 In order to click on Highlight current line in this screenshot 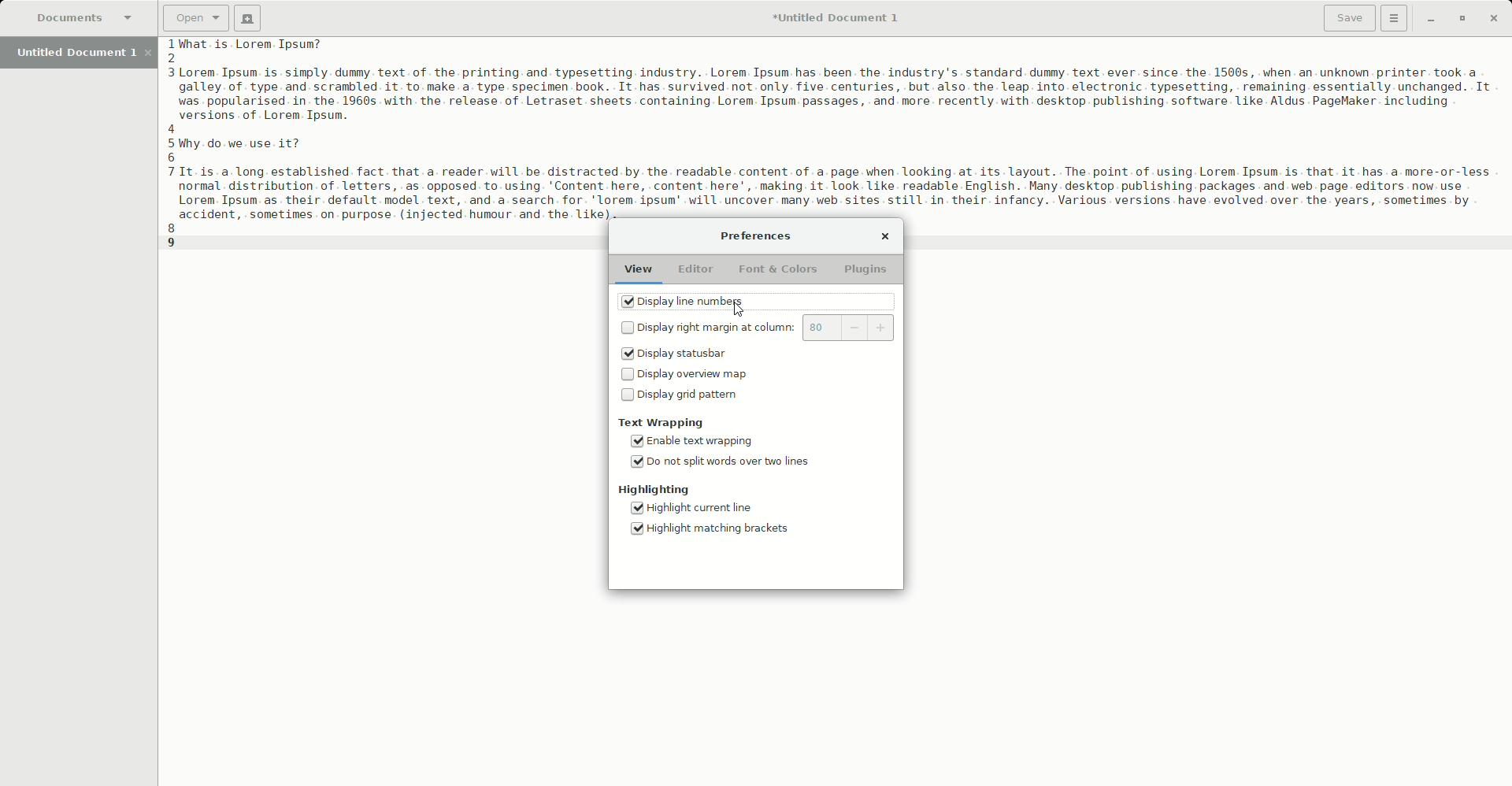, I will do `click(712, 510)`.